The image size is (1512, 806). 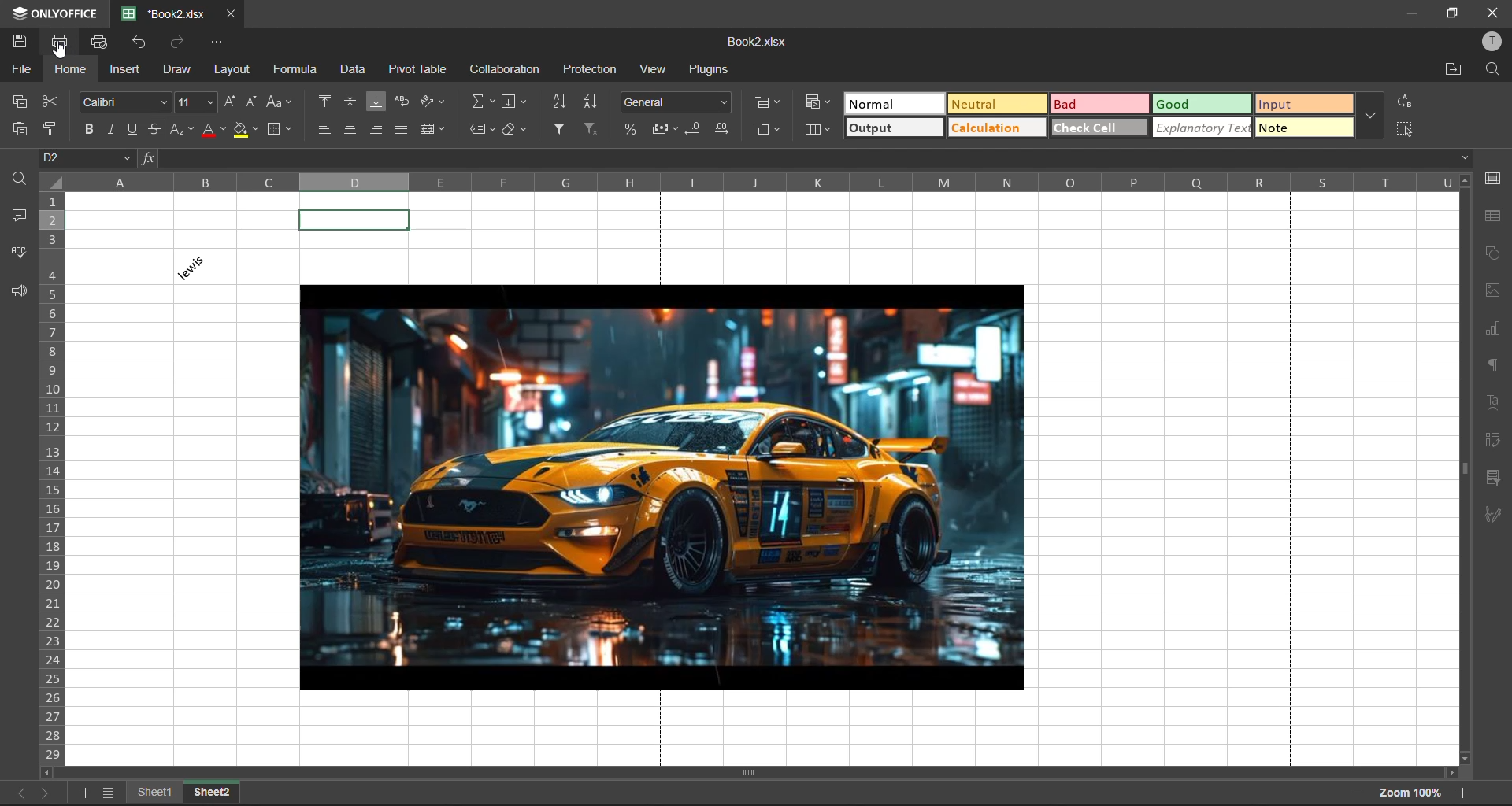 What do you see at coordinates (117, 128) in the screenshot?
I see `italic` at bounding box center [117, 128].